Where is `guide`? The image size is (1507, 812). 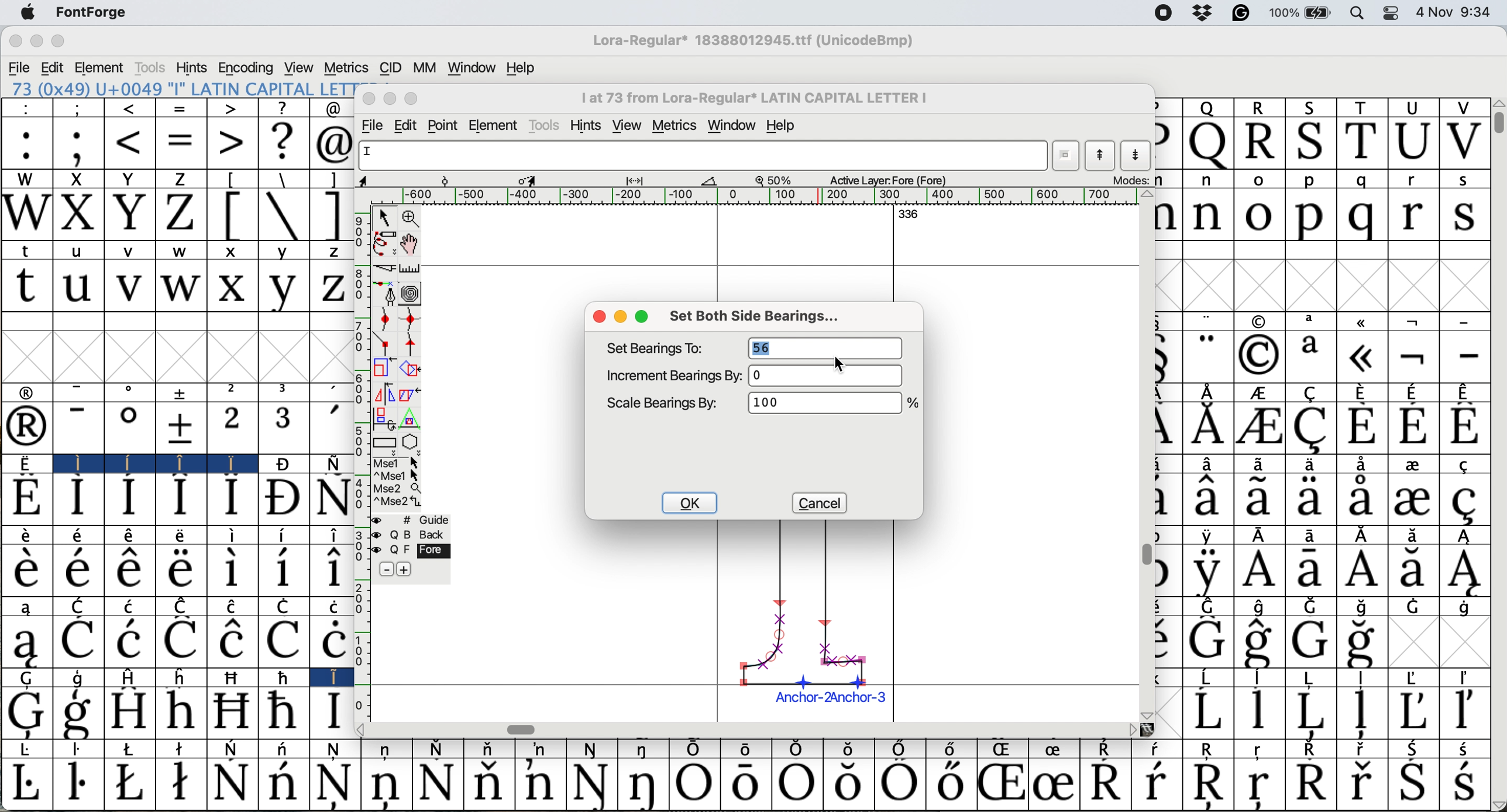 guide is located at coordinates (426, 519).